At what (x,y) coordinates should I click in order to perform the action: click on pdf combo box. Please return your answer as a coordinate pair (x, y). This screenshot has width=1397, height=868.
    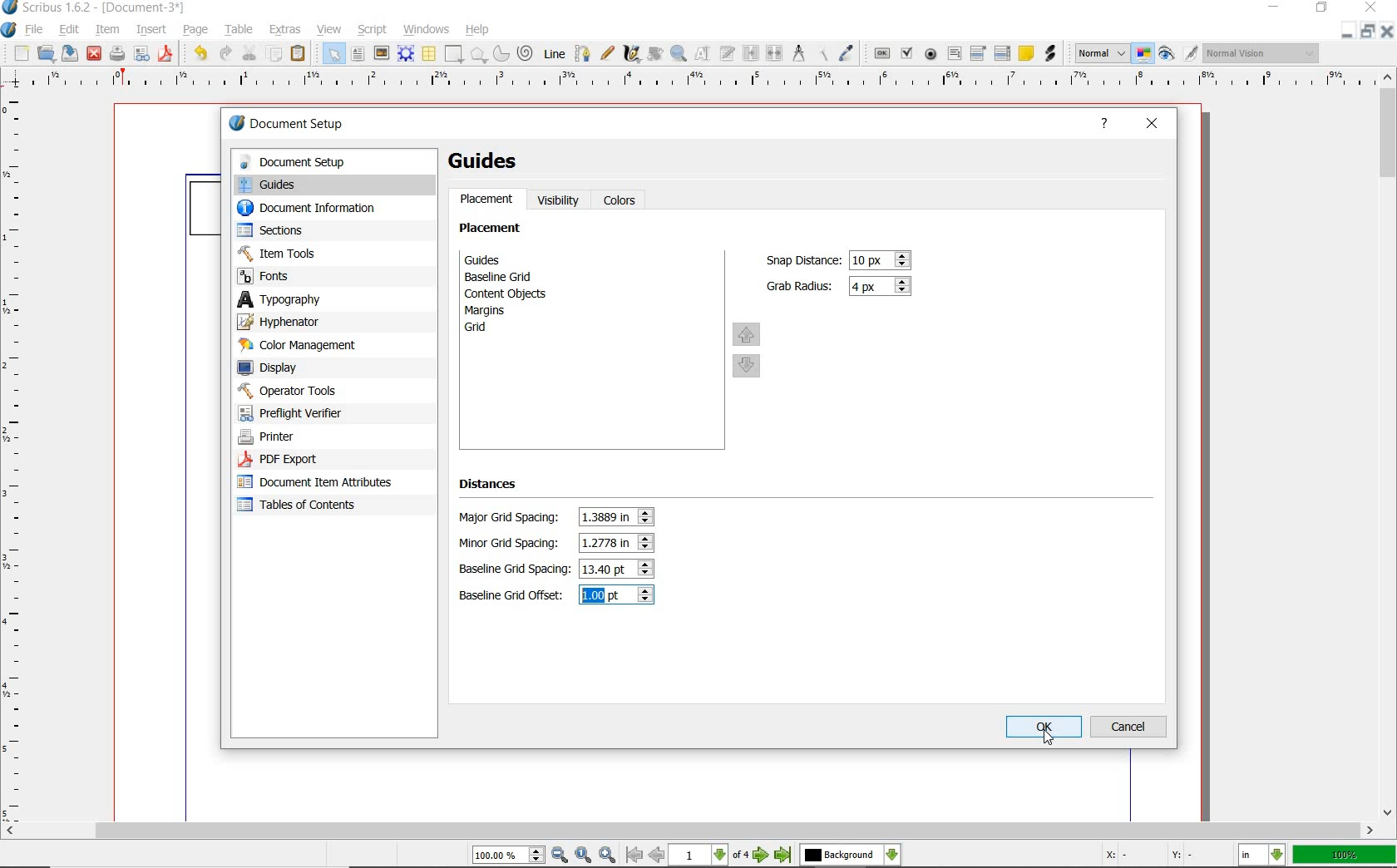
    Looking at the image, I should click on (978, 52).